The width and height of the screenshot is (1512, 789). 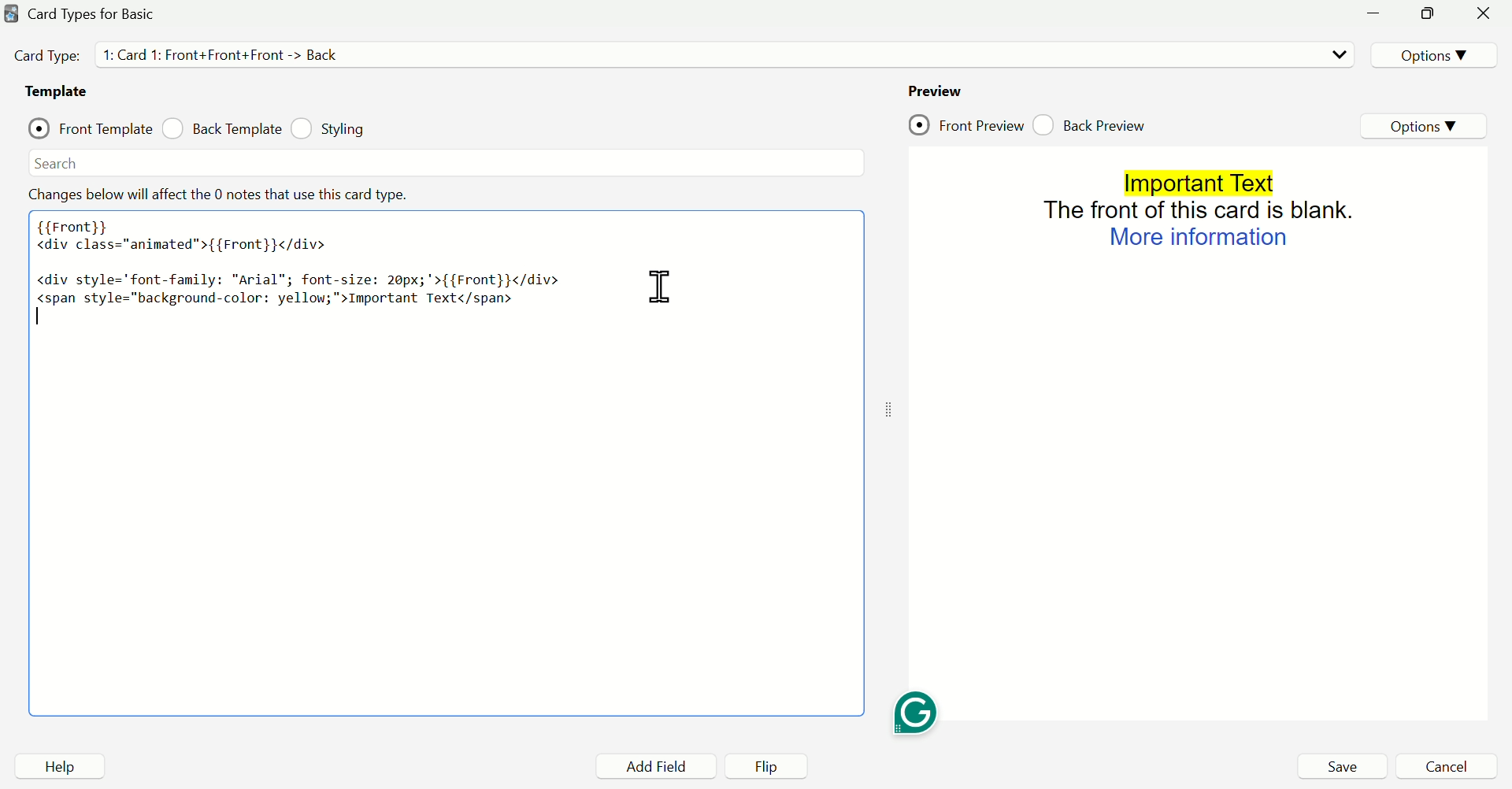 I want to click on Insertion cursor, so click(x=767, y=280).